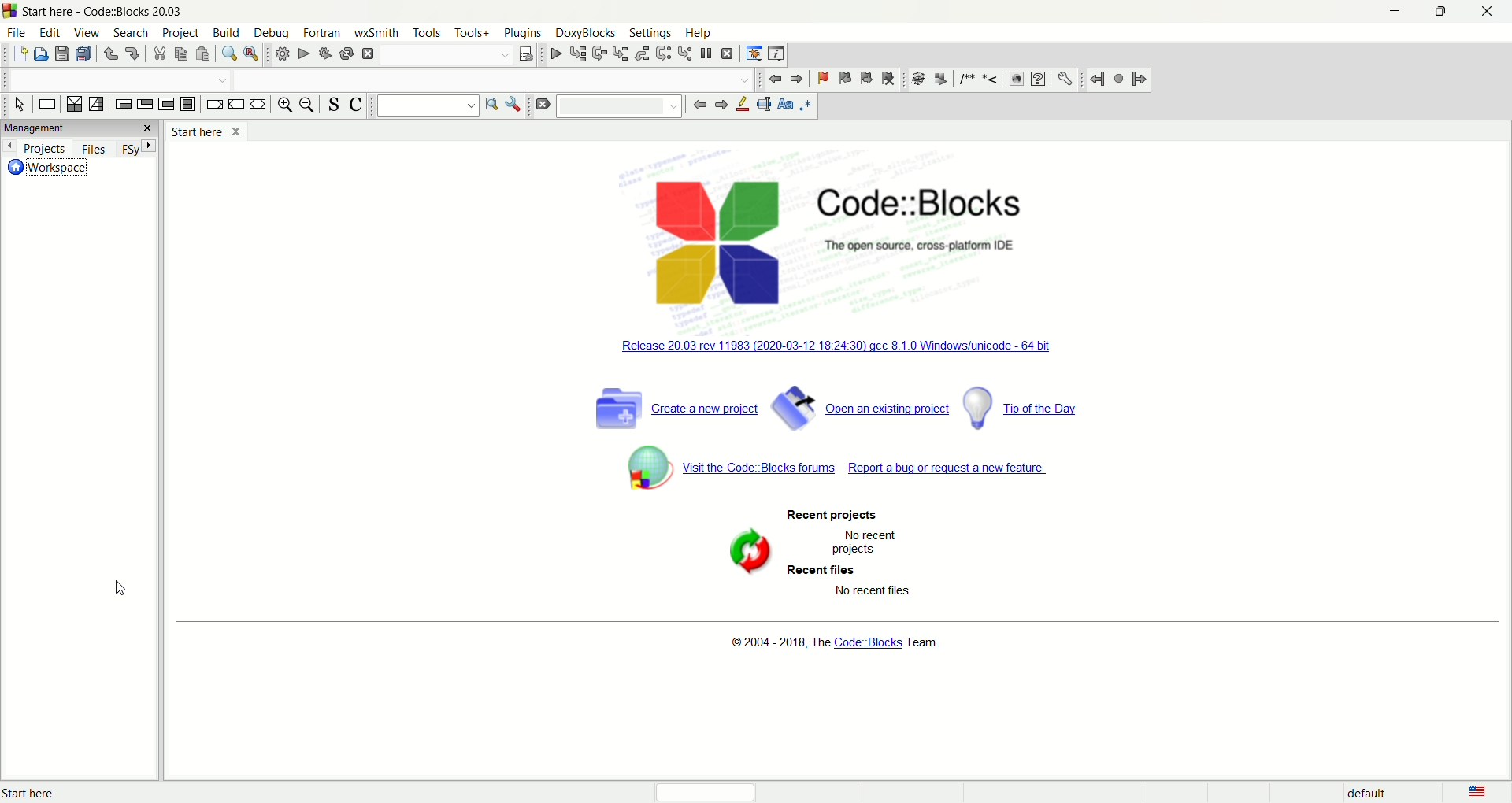 The width and height of the screenshot is (1512, 803). I want to click on report a bug, so click(948, 468).